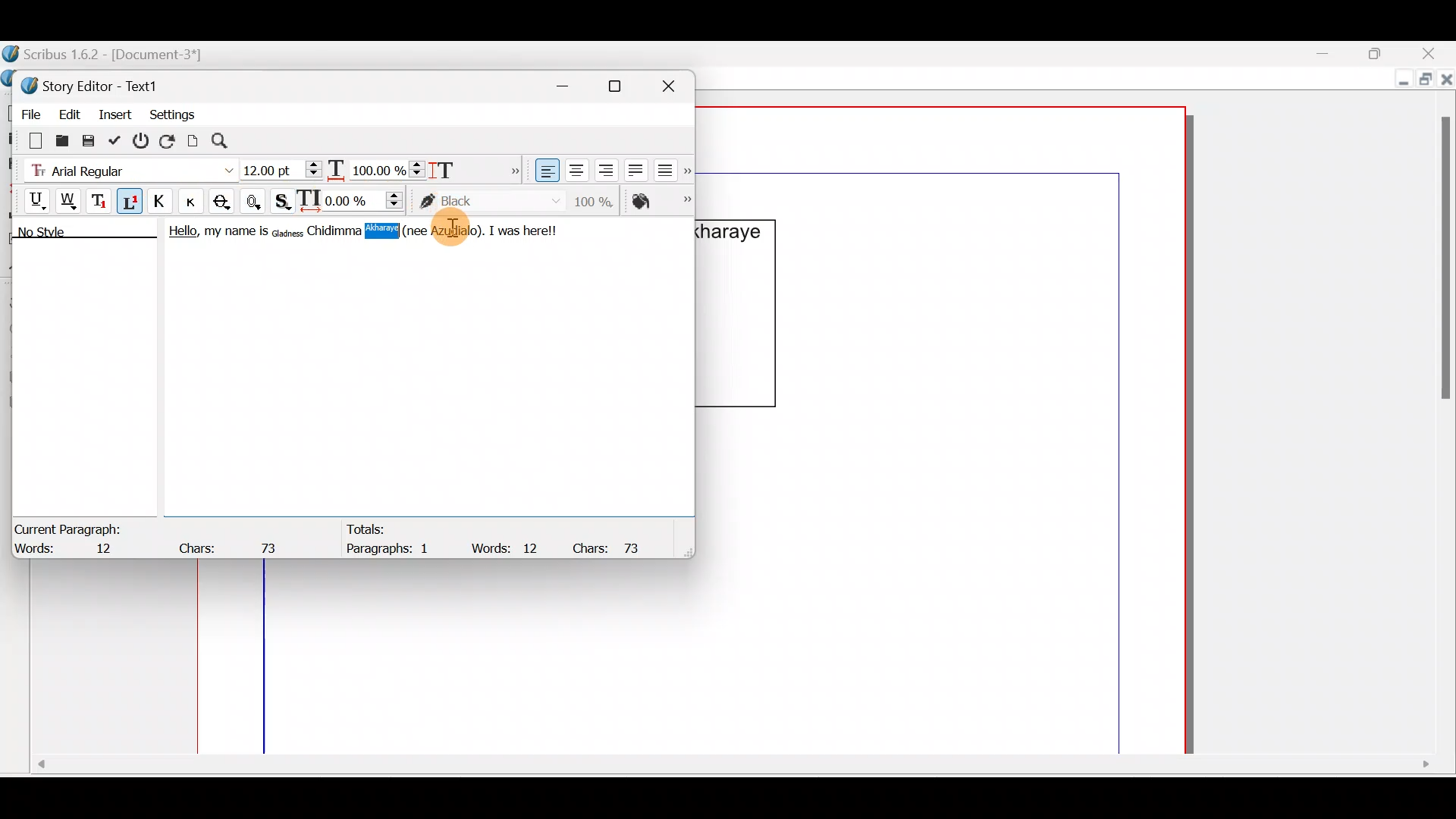  Describe the element at coordinates (70, 200) in the screenshot. I see `Underline words only` at that location.